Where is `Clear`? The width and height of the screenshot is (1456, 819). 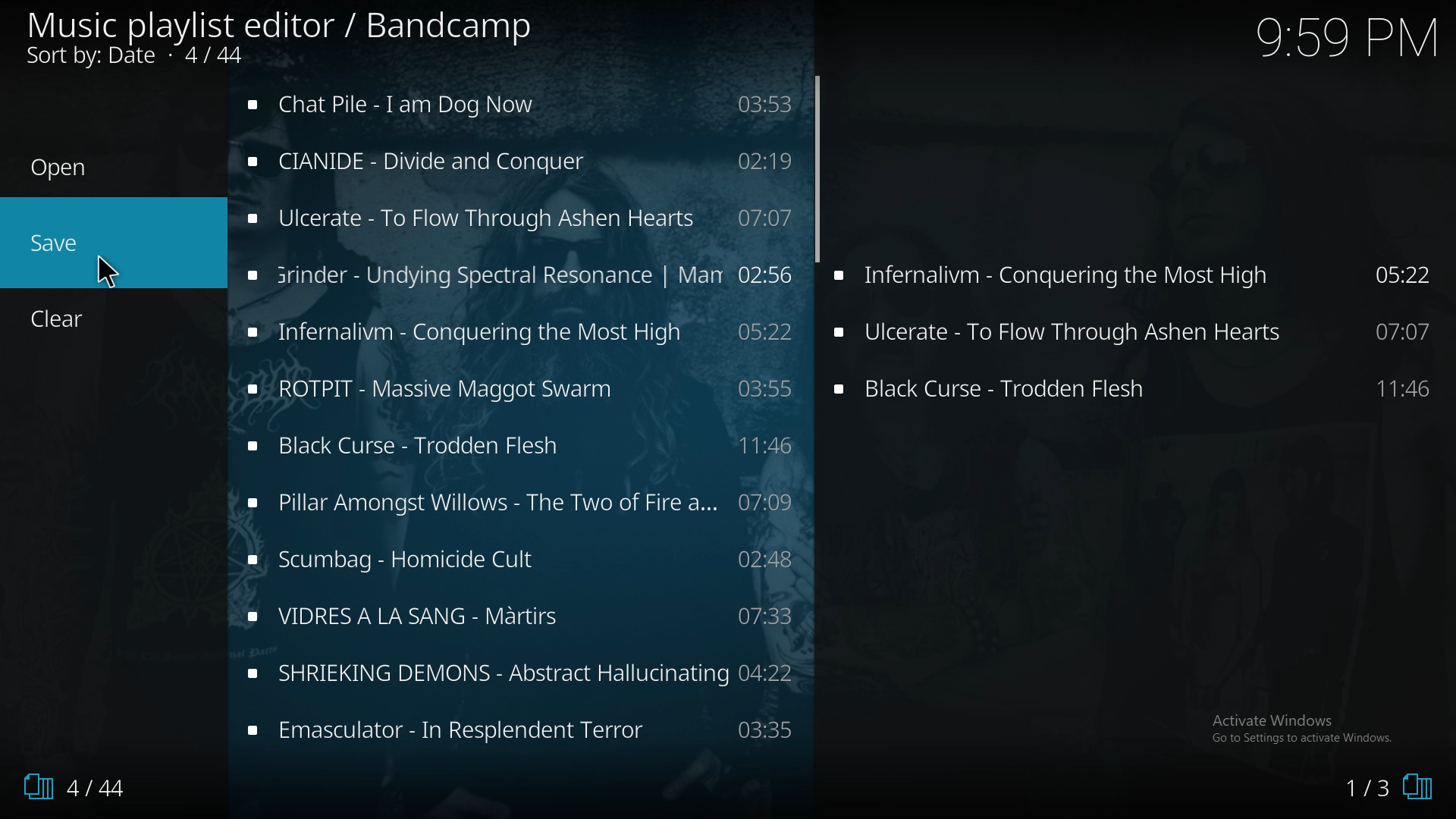 Clear is located at coordinates (66, 319).